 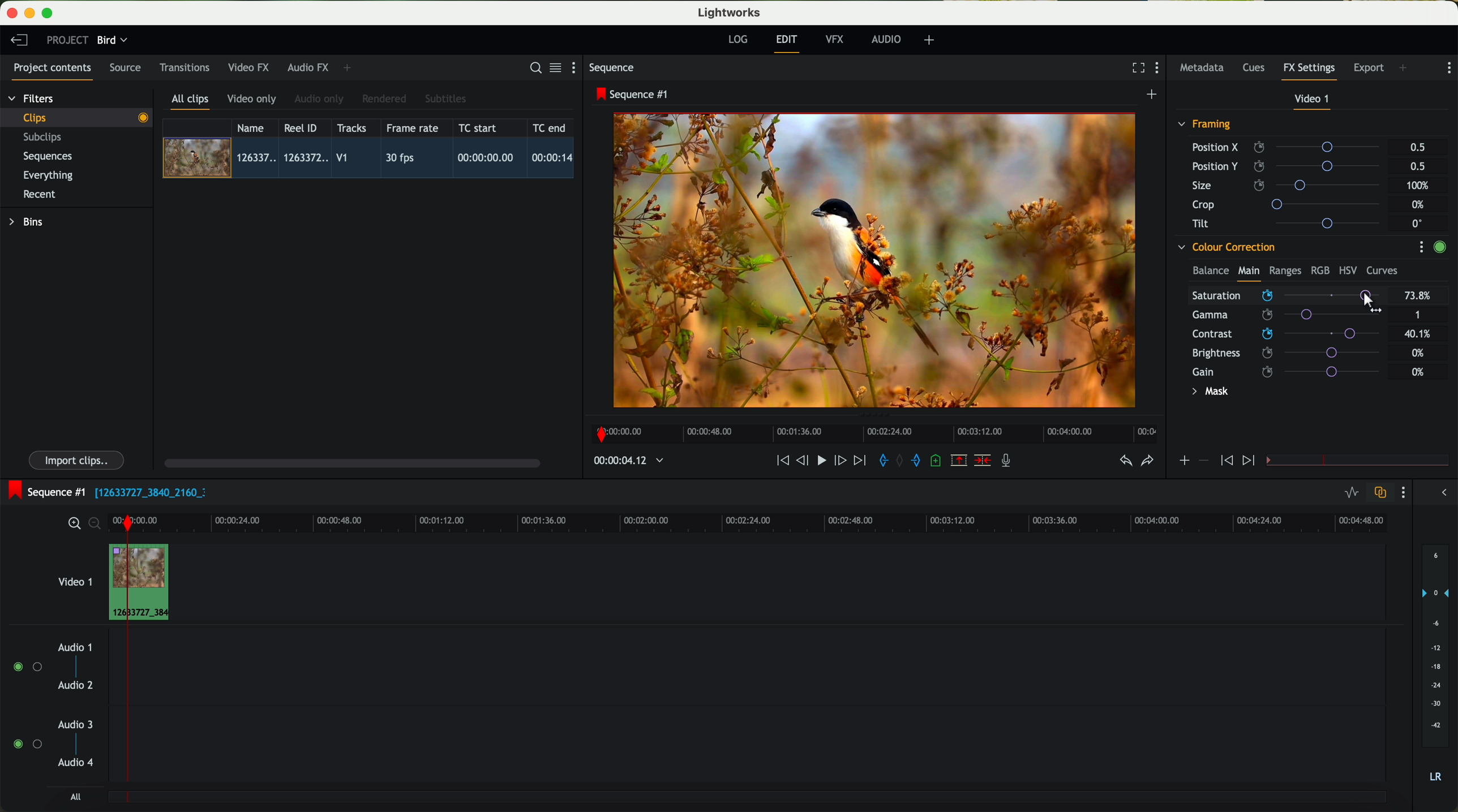 I want to click on show settings menu, so click(x=1160, y=69).